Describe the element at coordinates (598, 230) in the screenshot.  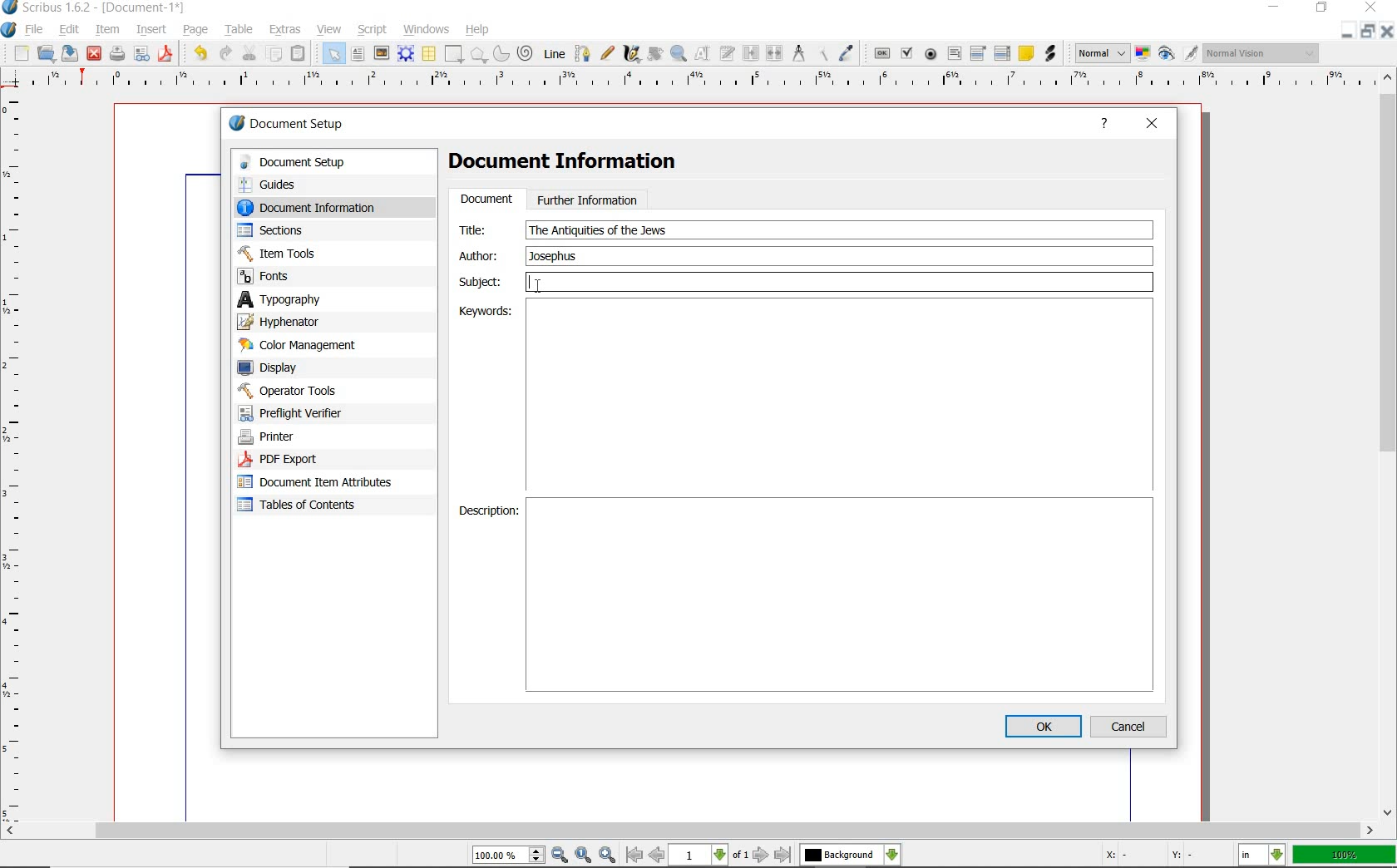
I see `text` at that location.